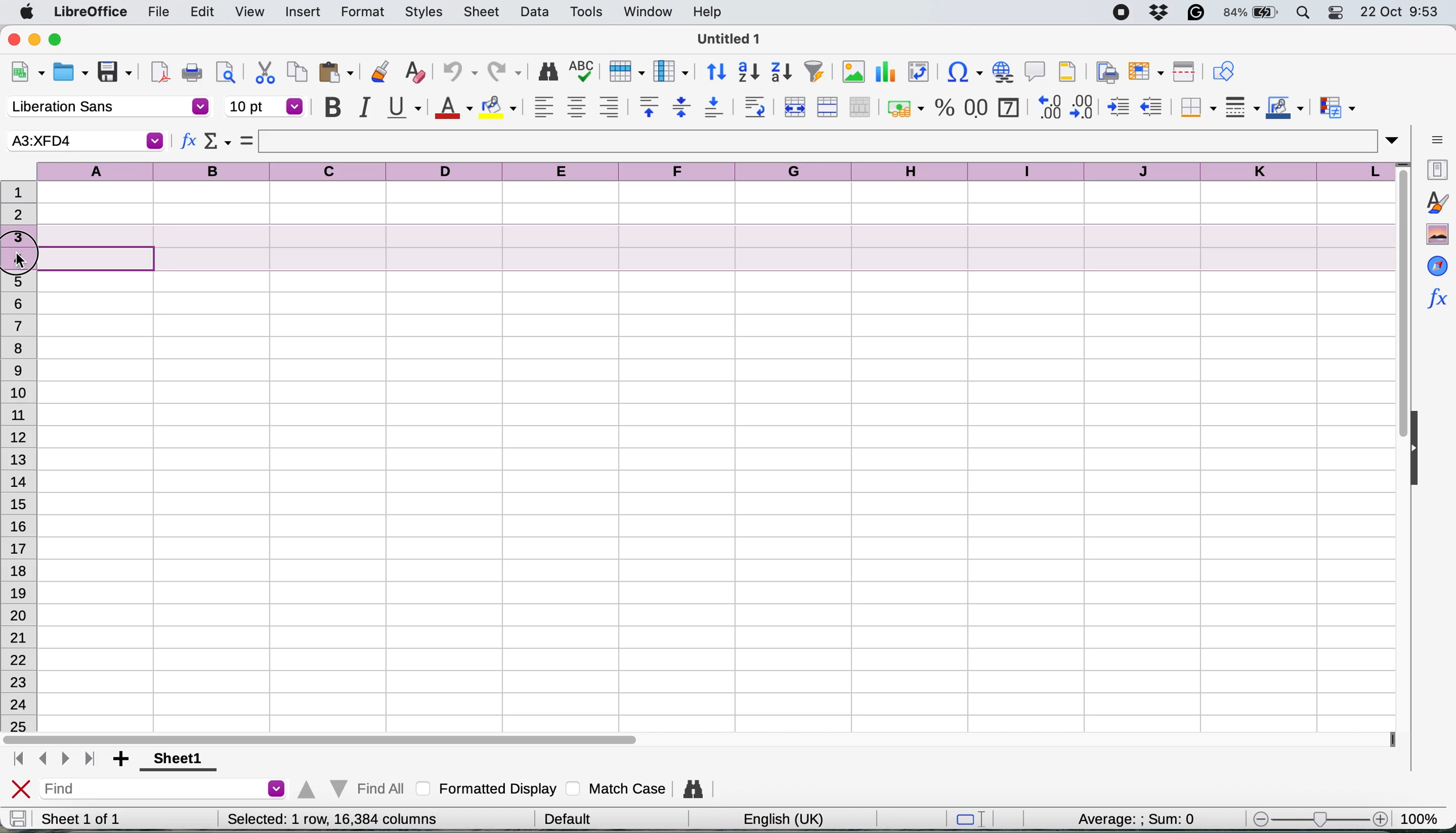 The image size is (1456, 833). Describe the element at coordinates (349, 786) in the screenshot. I see `find all` at that location.